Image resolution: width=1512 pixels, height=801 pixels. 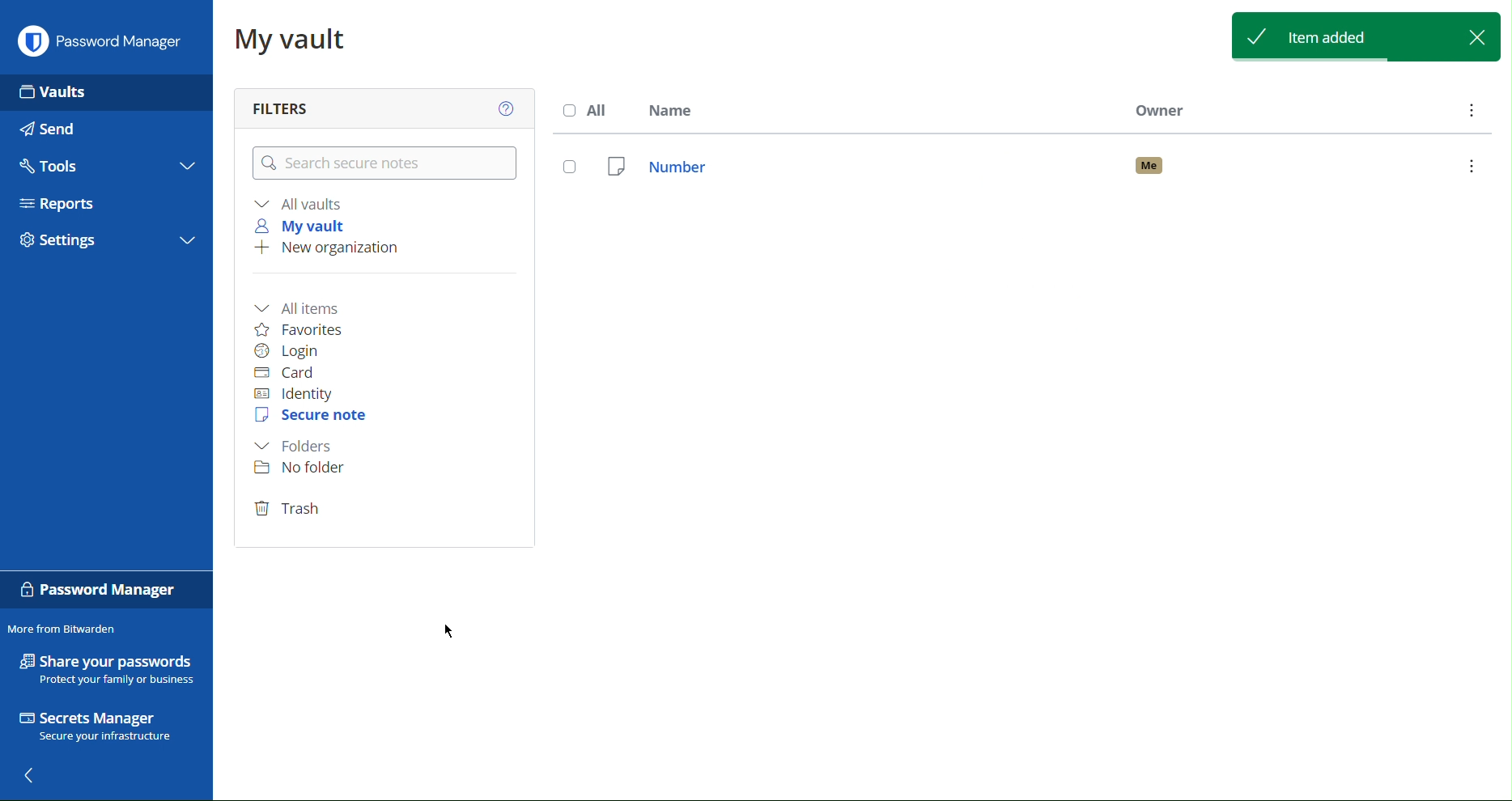 I want to click on All vaults, so click(x=299, y=203).